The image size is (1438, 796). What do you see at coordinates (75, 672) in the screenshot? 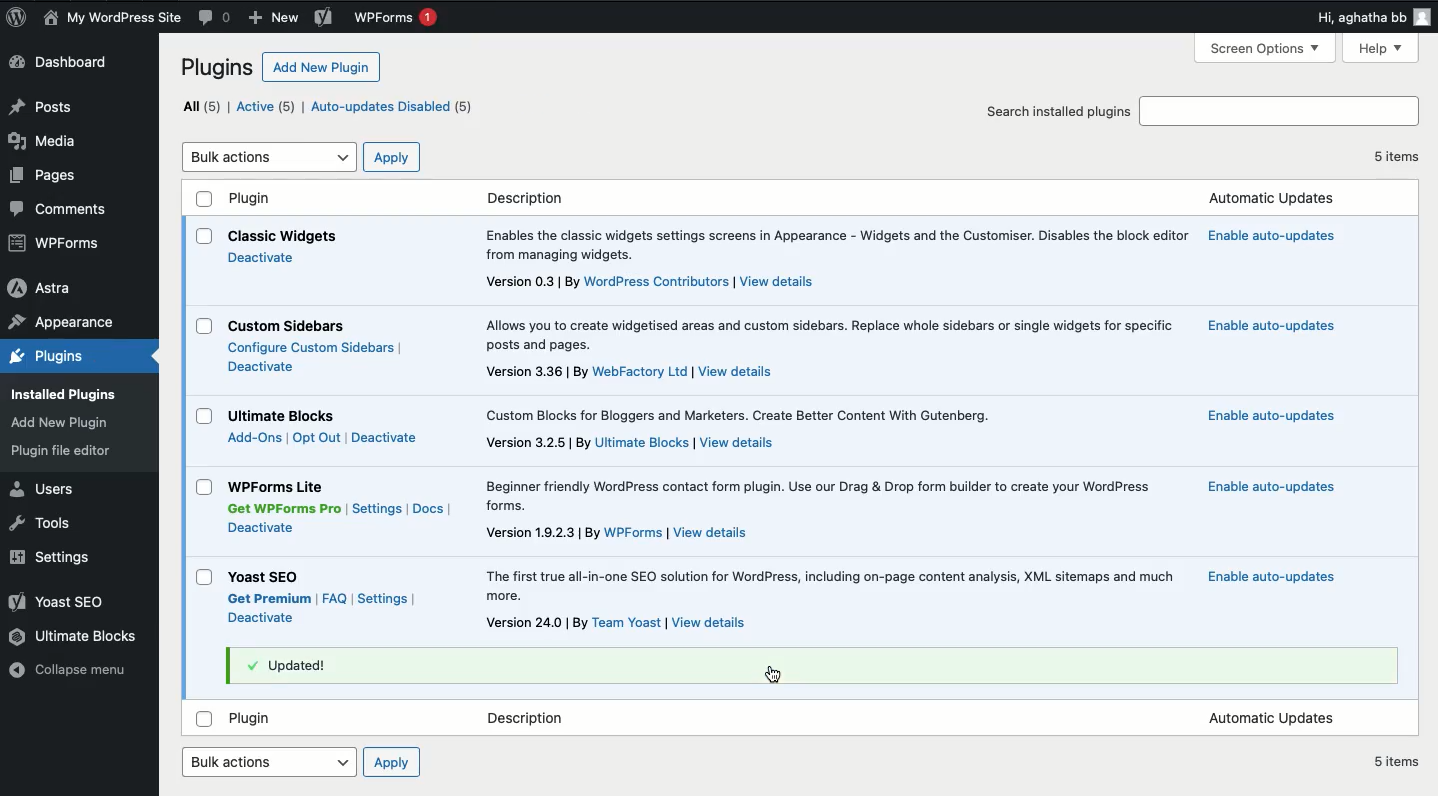
I see `Collapse menu` at bounding box center [75, 672].